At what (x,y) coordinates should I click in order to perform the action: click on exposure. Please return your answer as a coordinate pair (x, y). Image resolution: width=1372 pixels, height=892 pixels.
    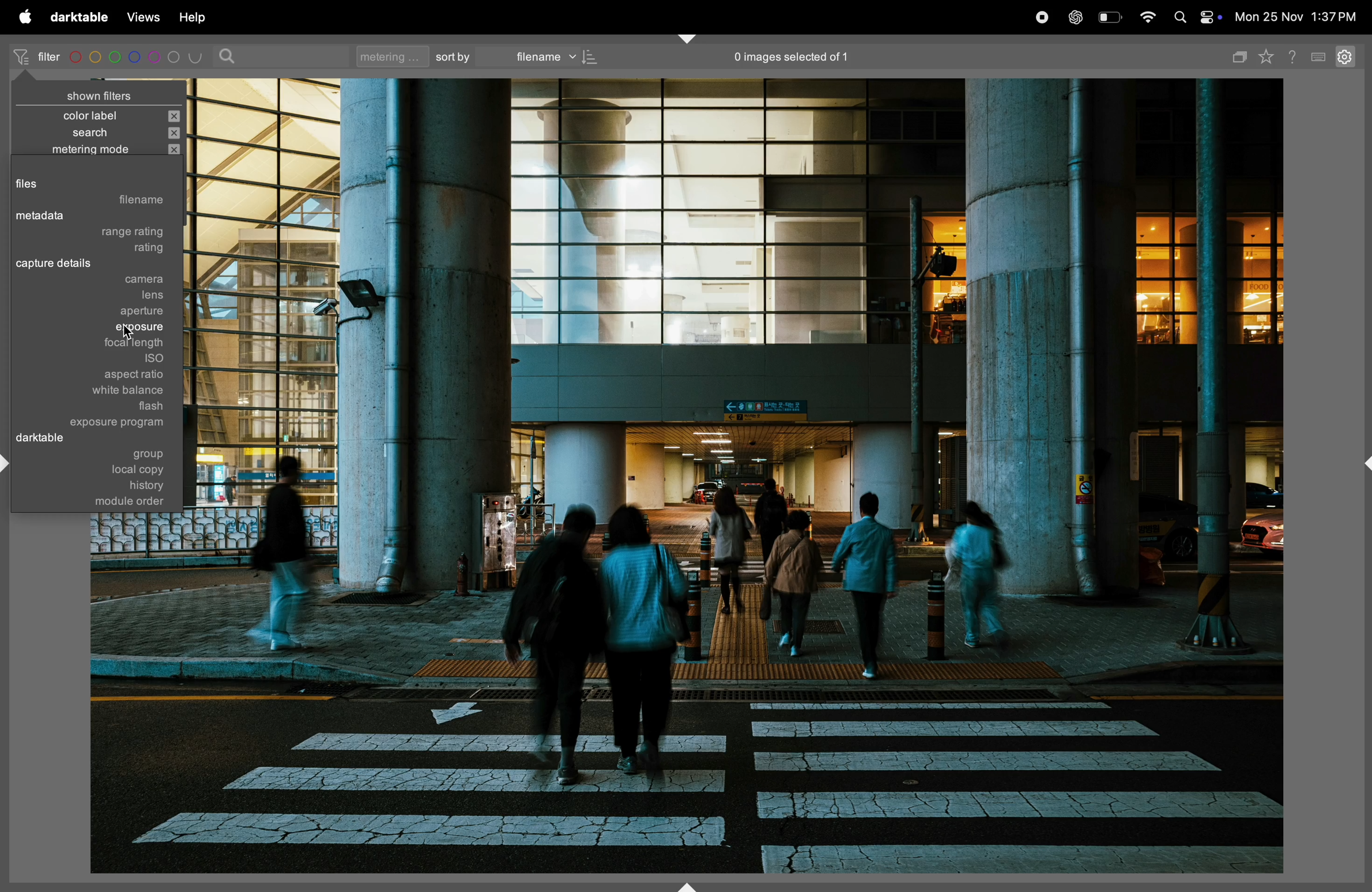
    Looking at the image, I should click on (111, 329).